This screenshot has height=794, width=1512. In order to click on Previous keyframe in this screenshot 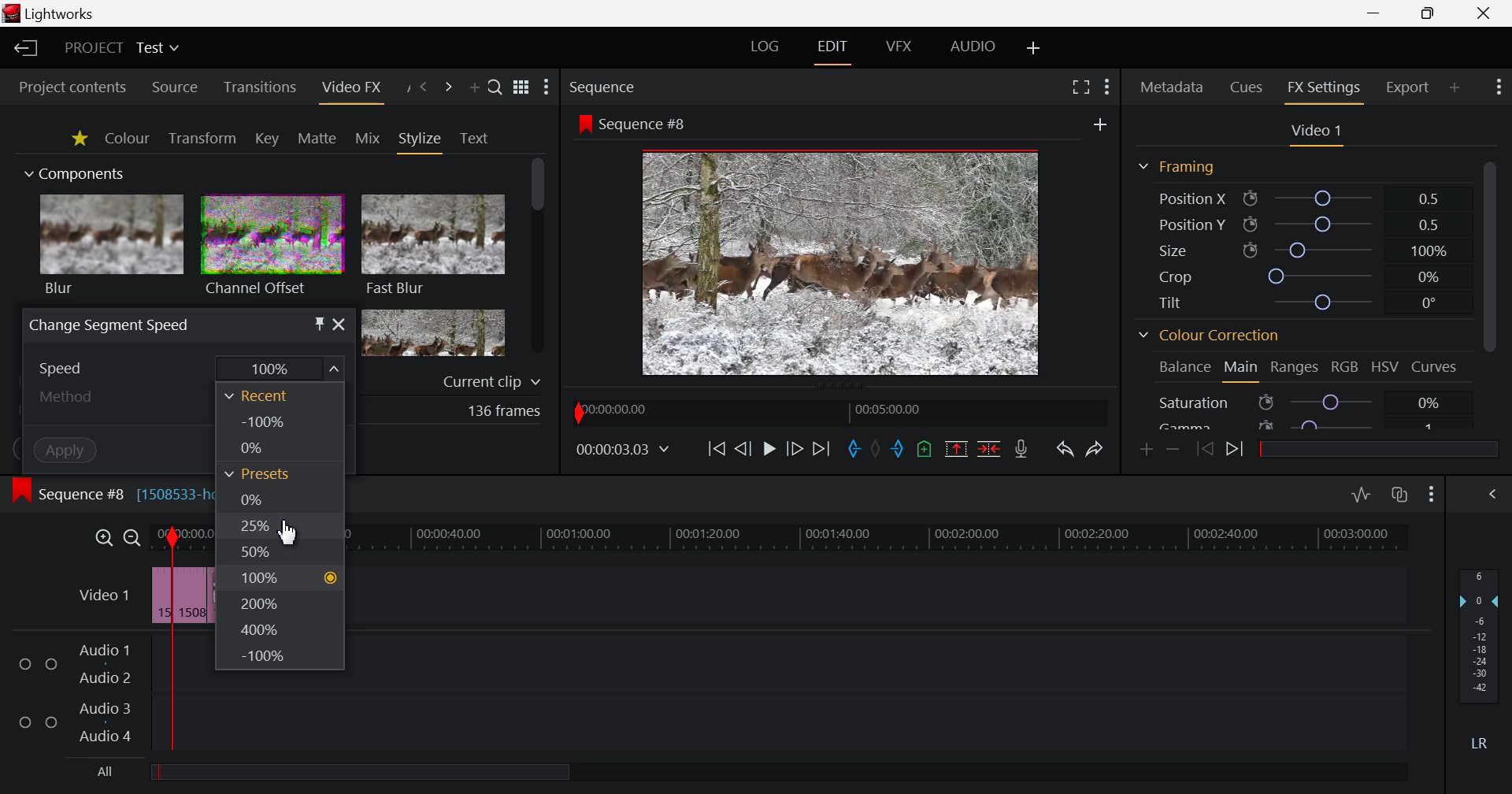, I will do `click(1203, 450)`.